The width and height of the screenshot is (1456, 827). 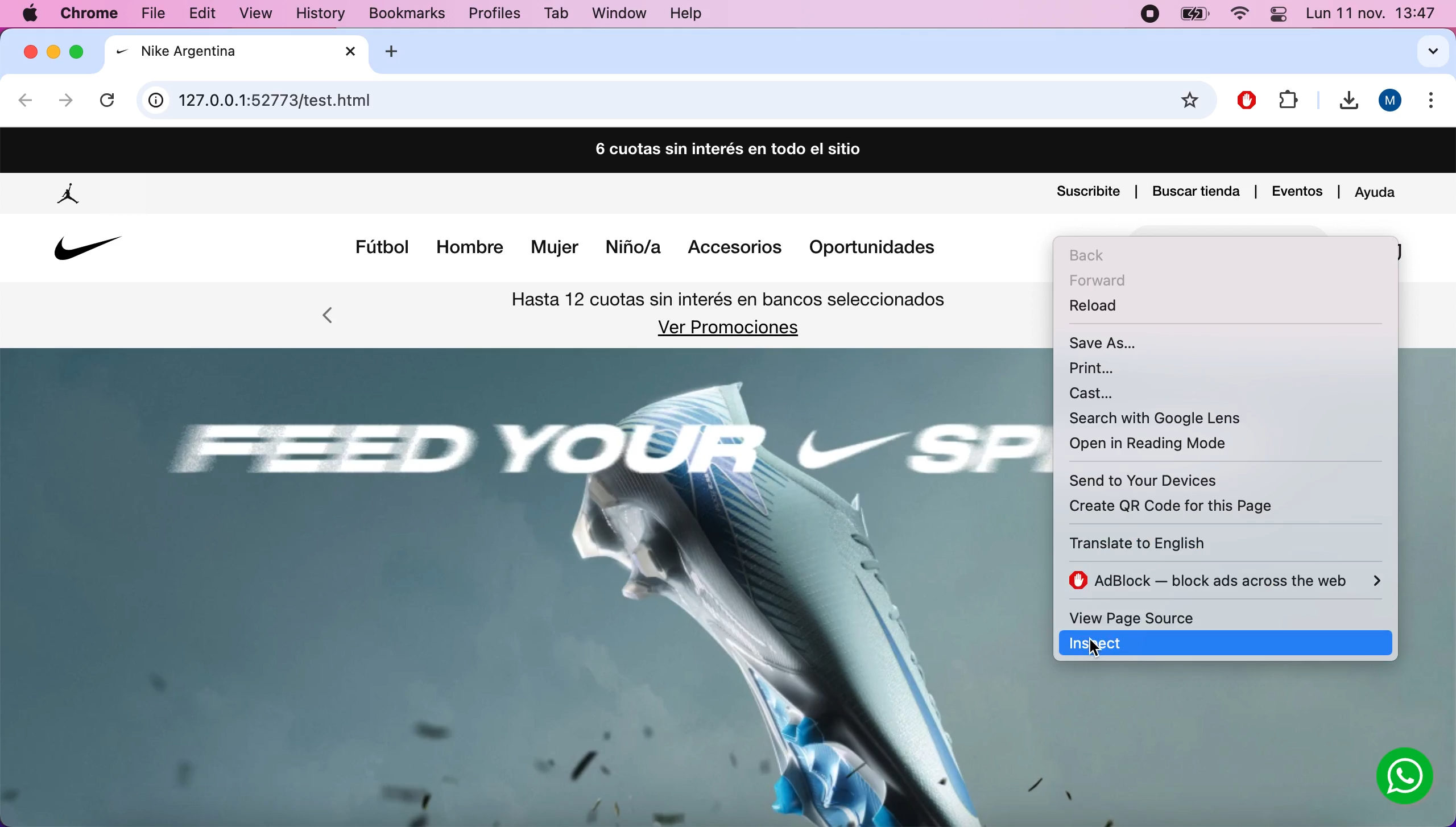 What do you see at coordinates (731, 302) in the screenshot?
I see `Up to 12 interest-free installments at selected banks` at bounding box center [731, 302].